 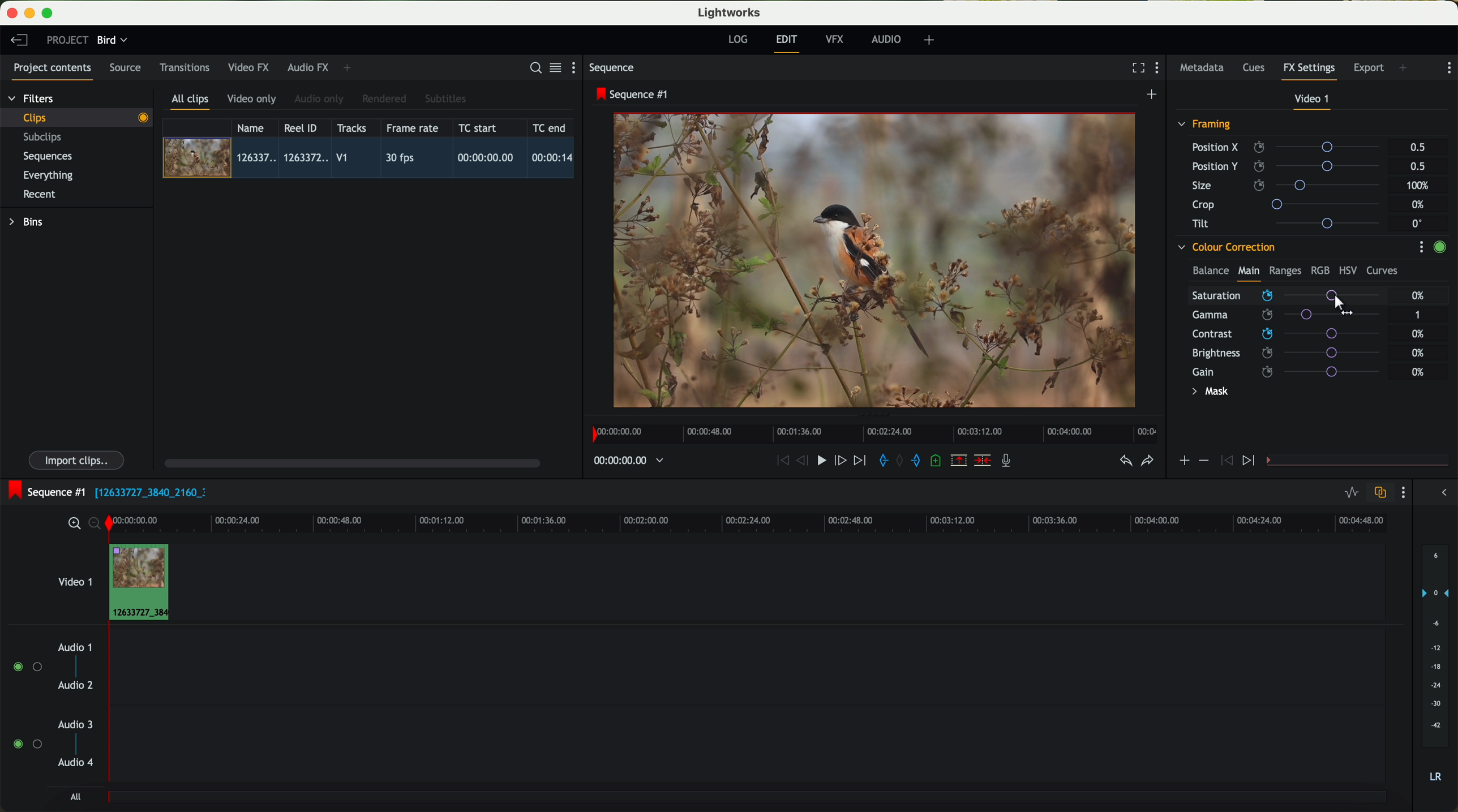 What do you see at coordinates (1290, 147) in the screenshot?
I see `position X` at bounding box center [1290, 147].